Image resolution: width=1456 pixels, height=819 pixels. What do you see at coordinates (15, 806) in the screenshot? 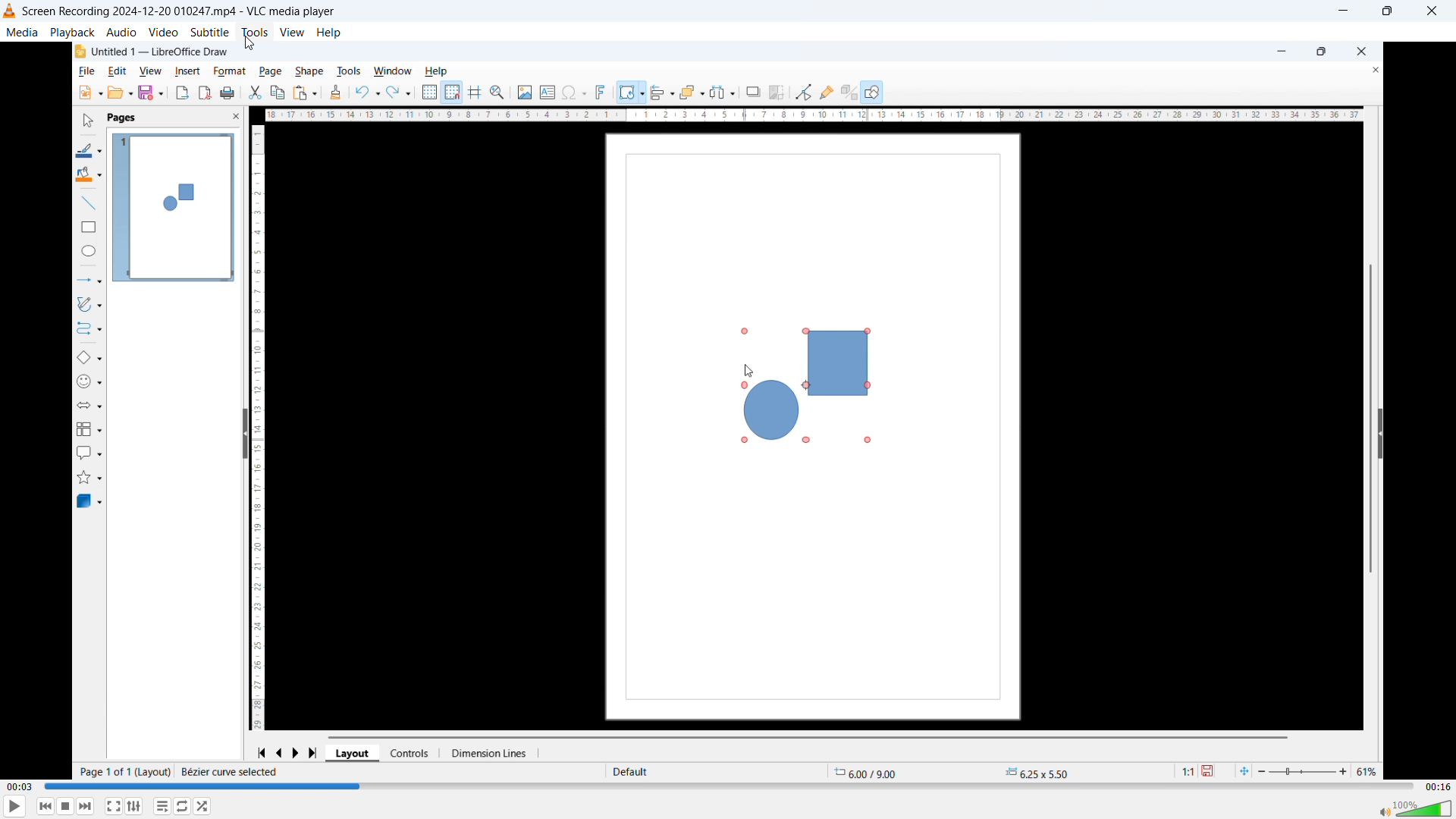
I see `play ` at bounding box center [15, 806].